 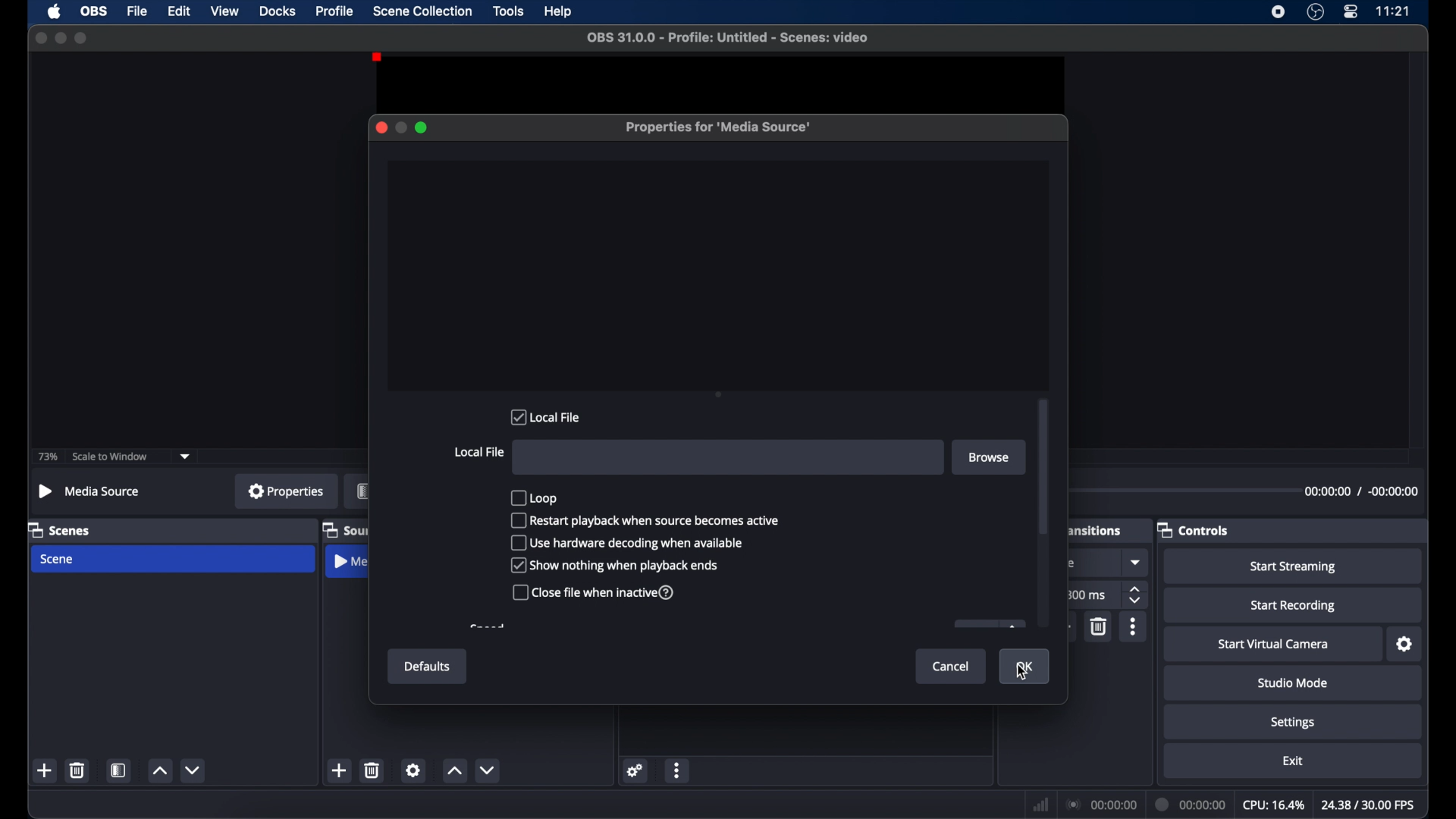 I want to click on close, so click(x=381, y=127).